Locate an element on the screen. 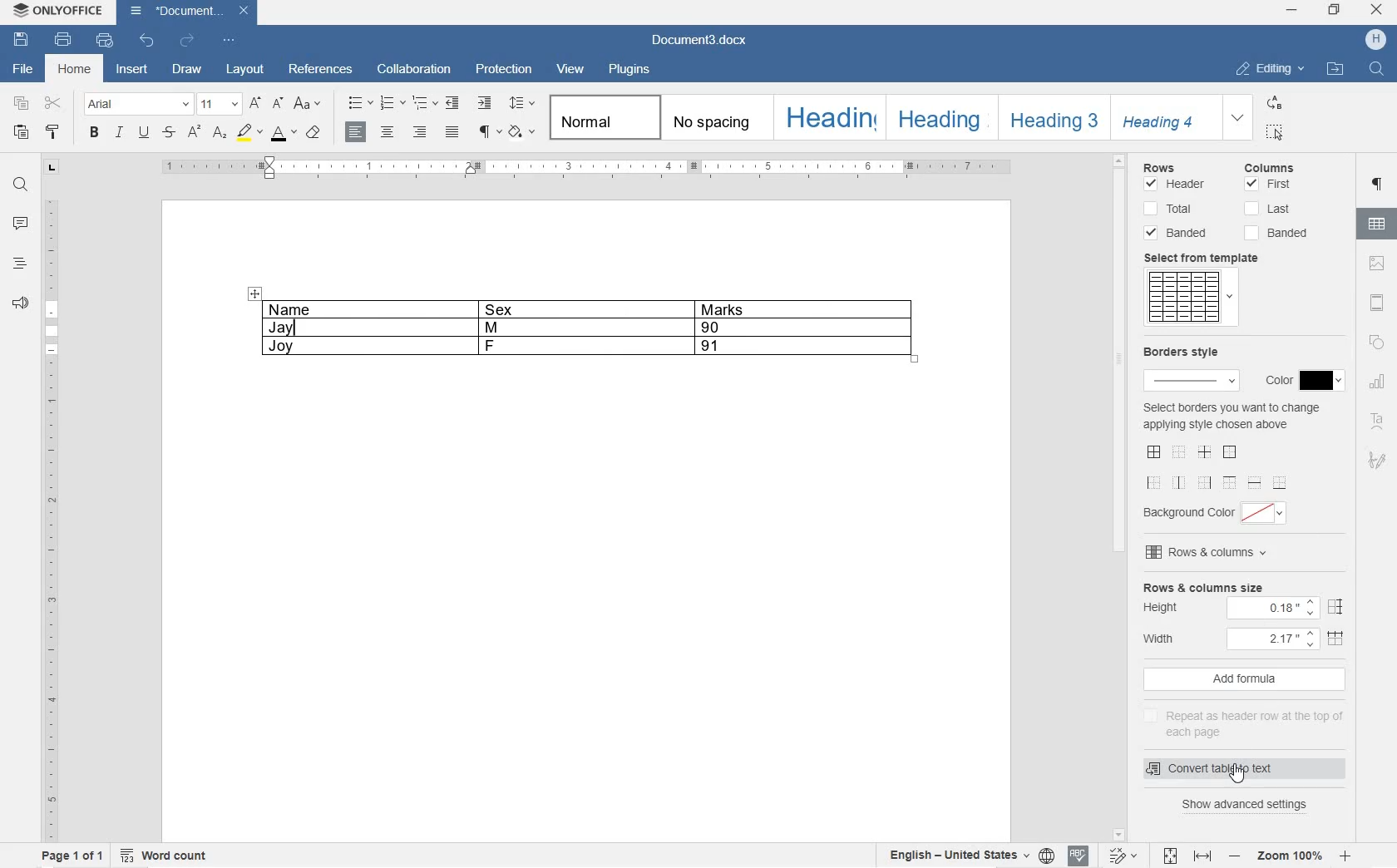 Image resolution: width=1397 pixels, height=868 pixels. FEEDBACK & SUPPORT is located at coordinates (18, 300).